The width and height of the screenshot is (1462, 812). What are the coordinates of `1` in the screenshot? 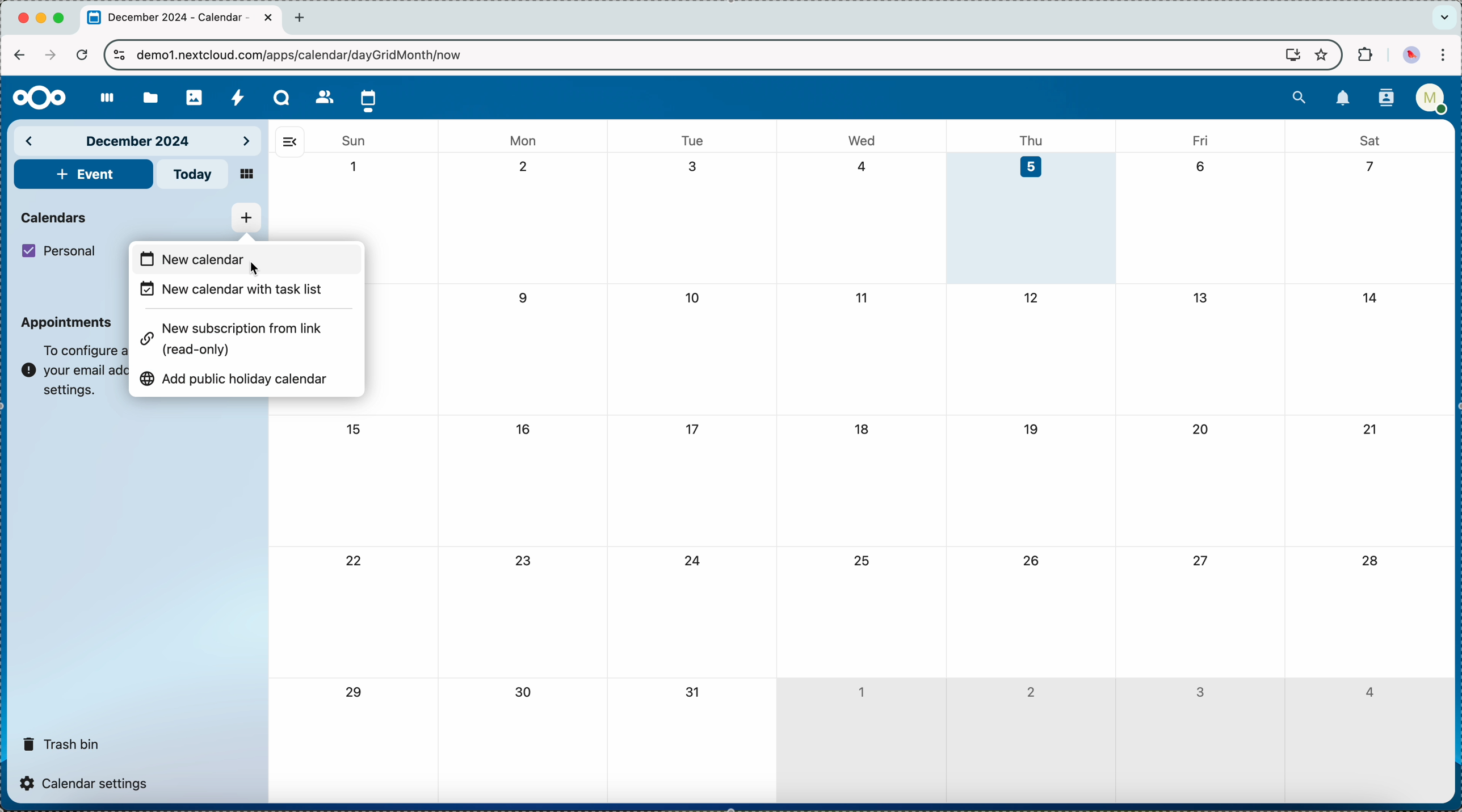 It's located at (860, 689).